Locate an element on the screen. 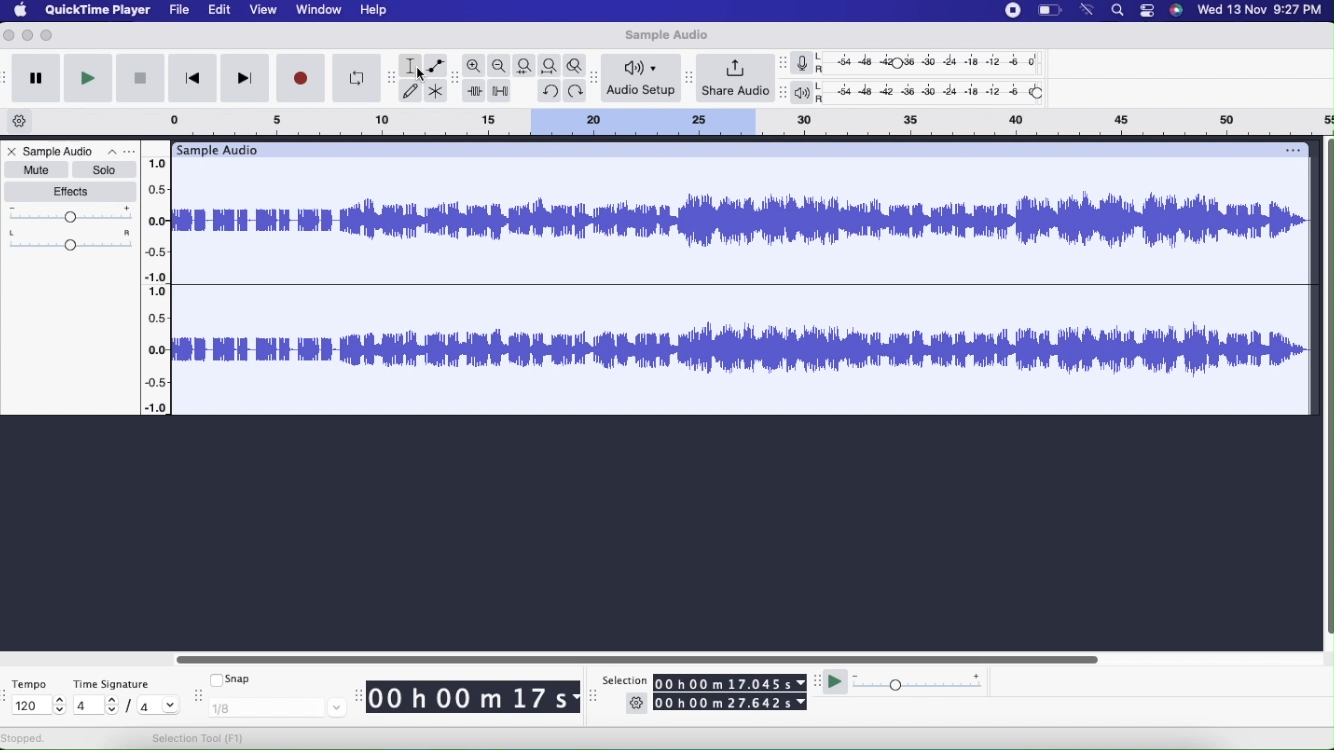  Zoom is located at coordinates (475, 66).